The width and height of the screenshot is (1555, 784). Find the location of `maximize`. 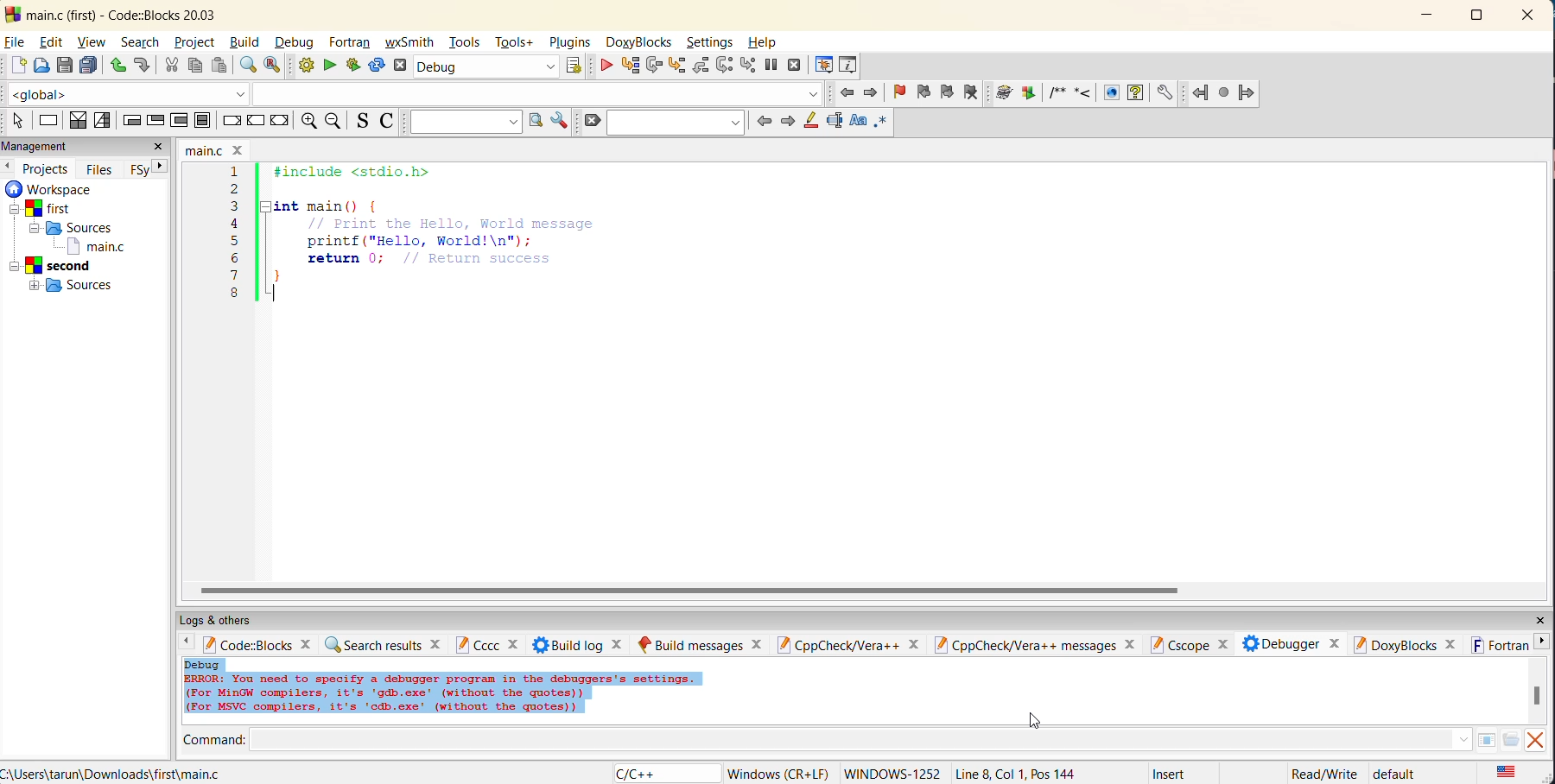

maximize is located at coordinates (1476, 15).